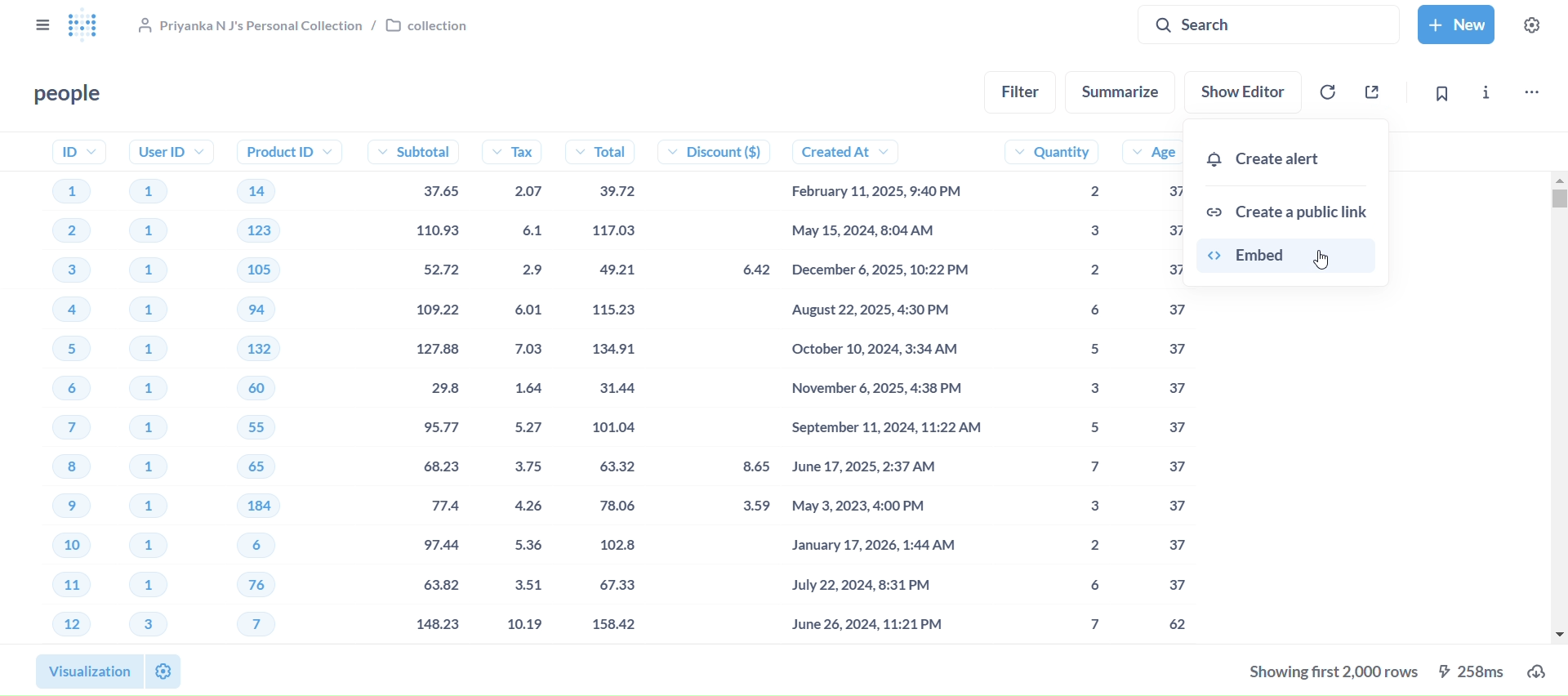  Describe the element at coordinates (87, 671) in the screenshot. I see `visualization` at that location.